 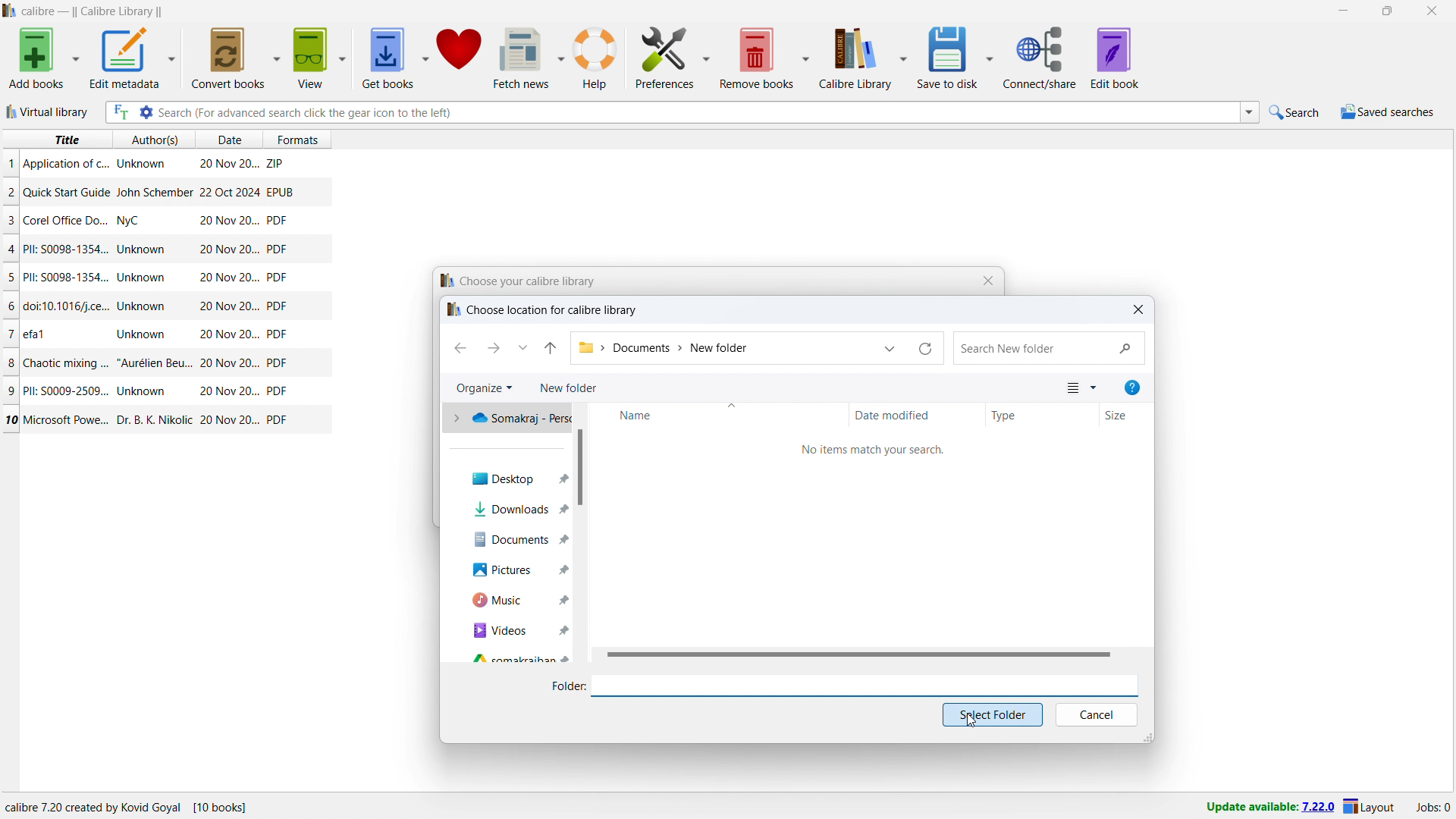 What do you see at coordinates (65, 164) in the screenshot?
I see `Title` at bounding box center [65, 164].